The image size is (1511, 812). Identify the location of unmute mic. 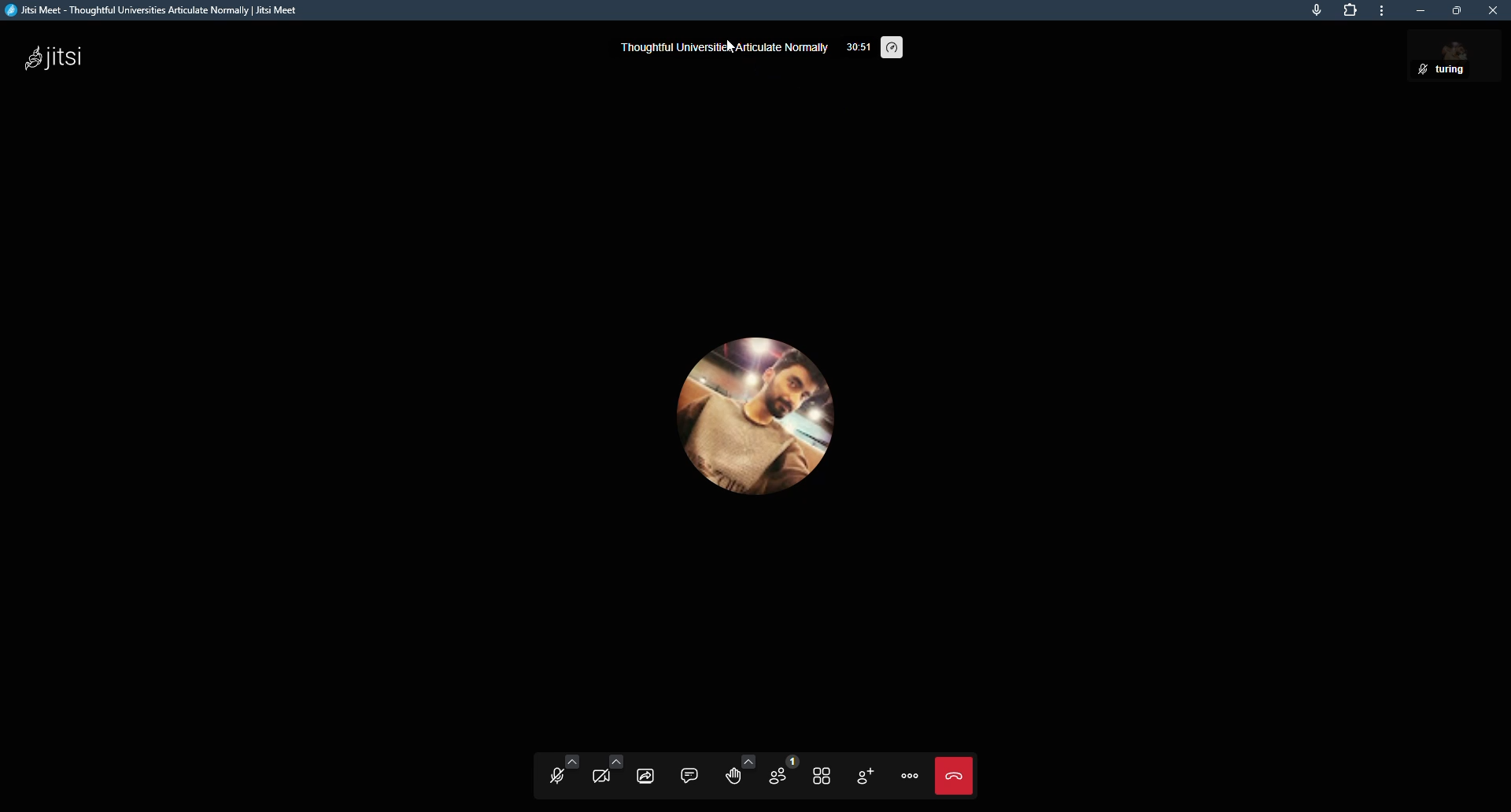
(555, 774).